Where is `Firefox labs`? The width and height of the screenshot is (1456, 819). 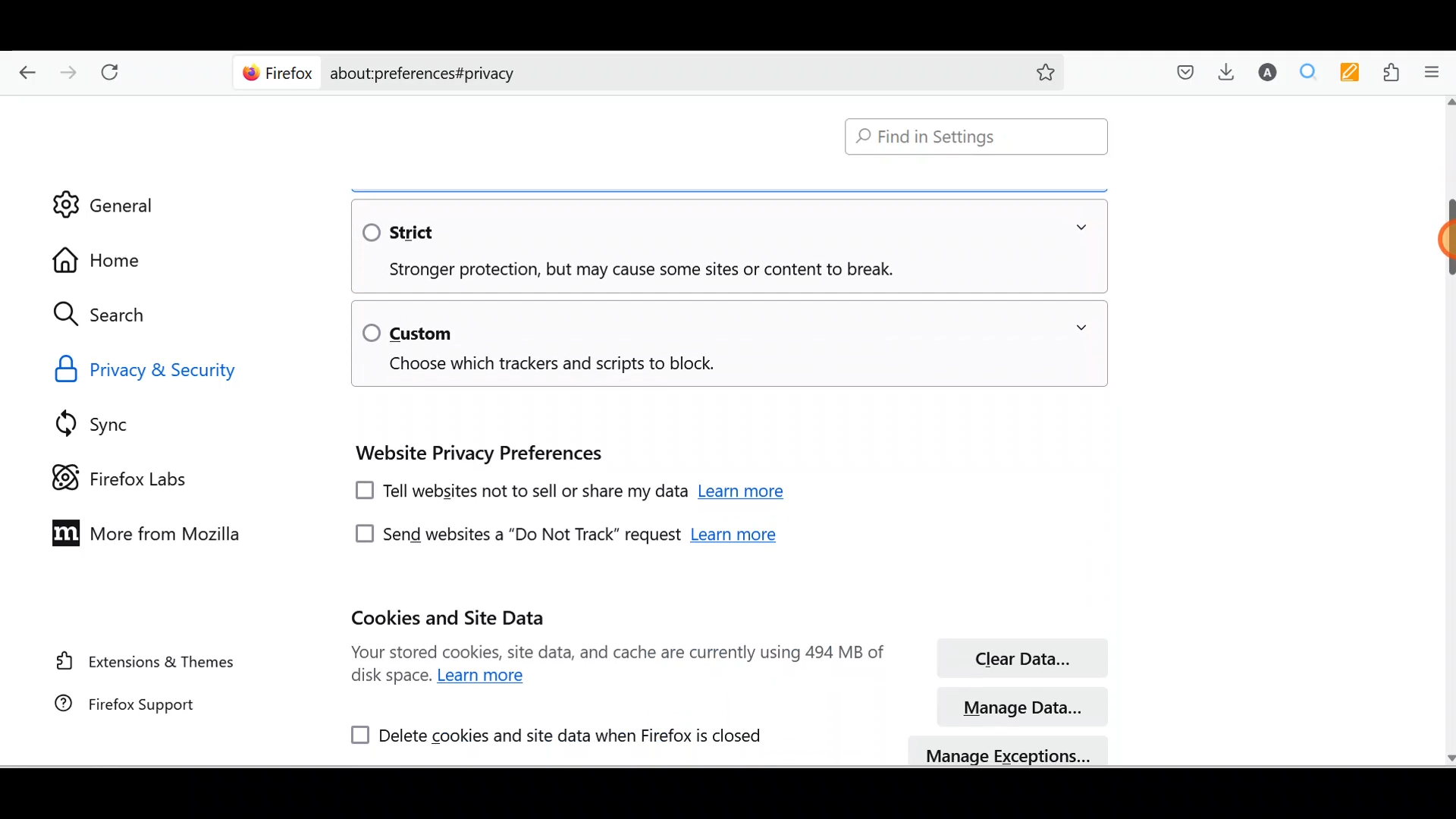 Firefox labs is located at coordinates (117, 476).